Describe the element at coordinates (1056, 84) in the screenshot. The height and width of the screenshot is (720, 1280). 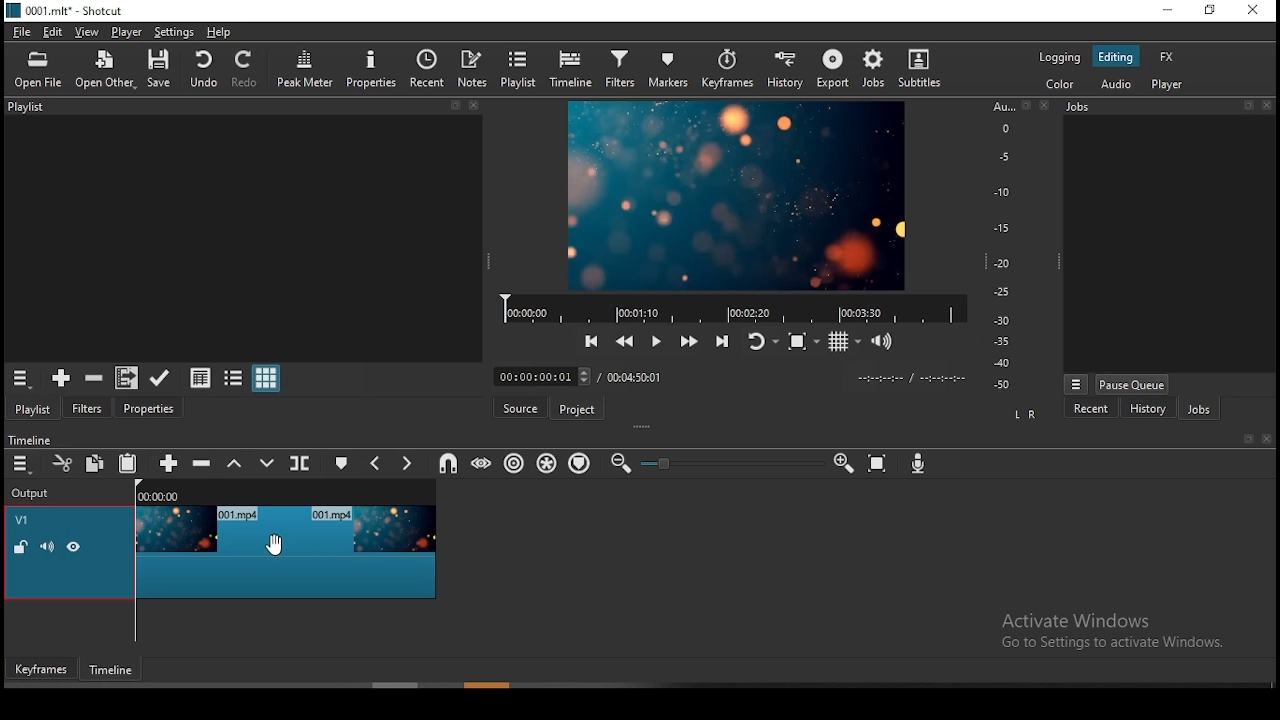
I see `color` at that location.